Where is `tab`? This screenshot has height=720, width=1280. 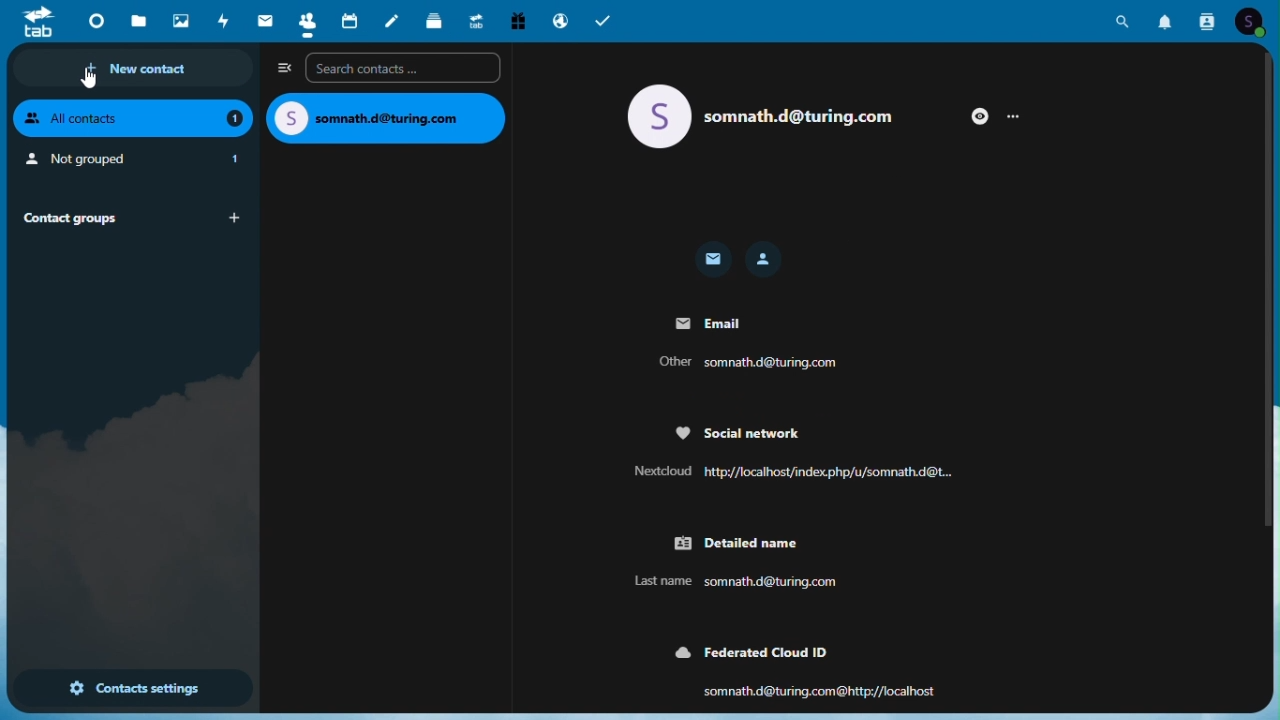 tab is located at coordinates (36, 24).